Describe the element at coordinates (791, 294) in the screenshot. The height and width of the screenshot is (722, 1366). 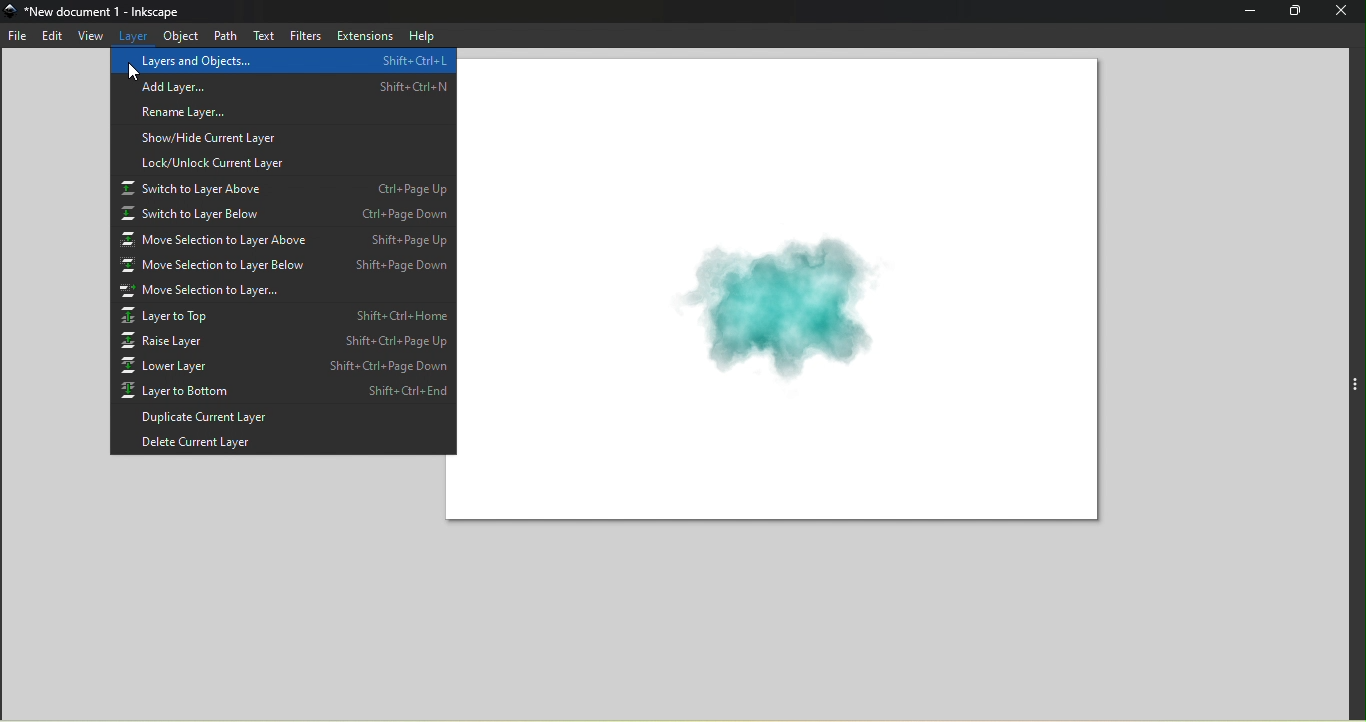
I see `Canvas showing some shape` at that location.